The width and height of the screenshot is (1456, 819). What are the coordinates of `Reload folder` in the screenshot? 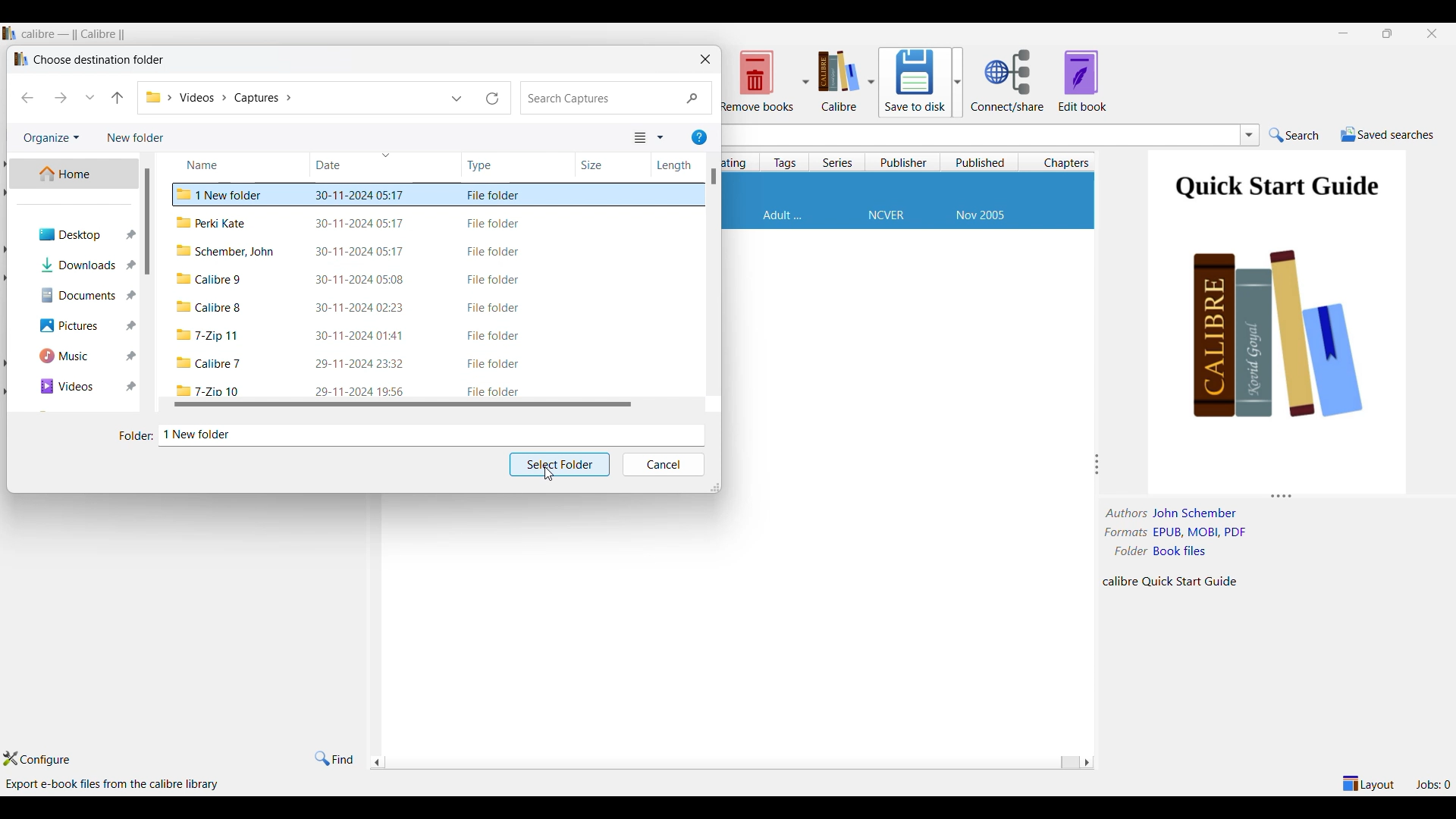 It's located at (493, 98).